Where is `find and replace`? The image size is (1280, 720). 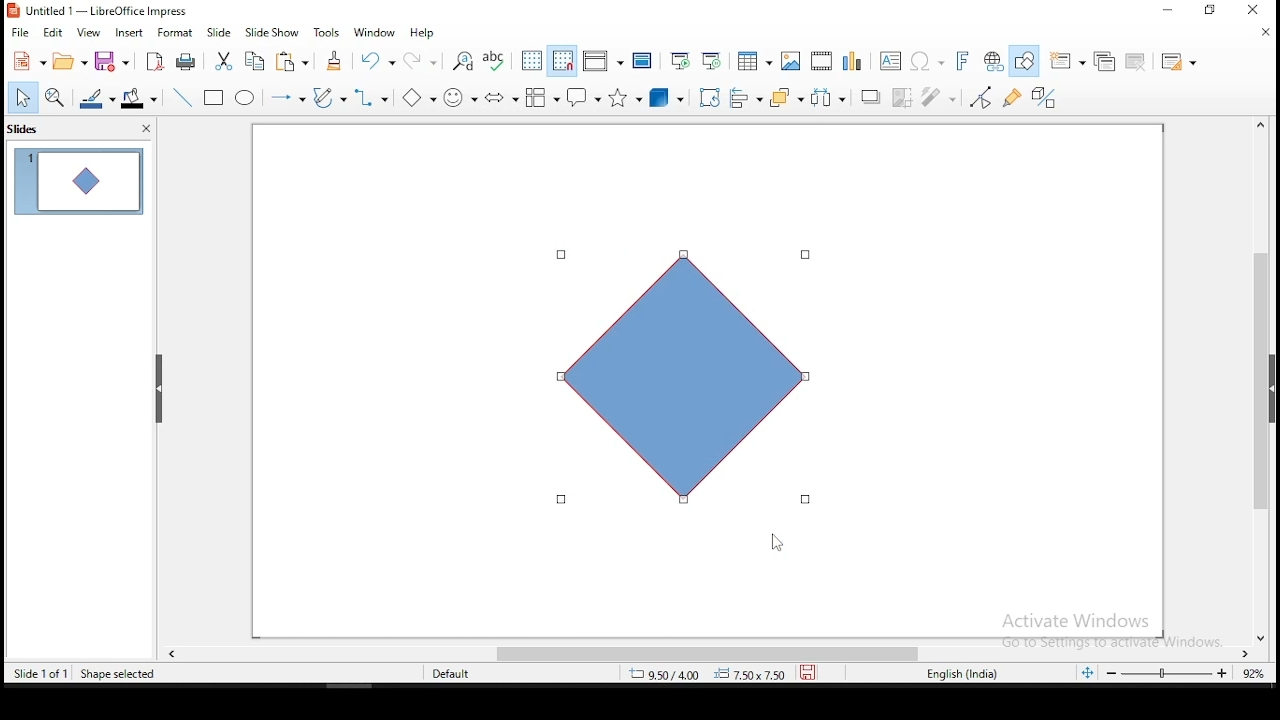 find and replace is located at coordinates (463, 59).